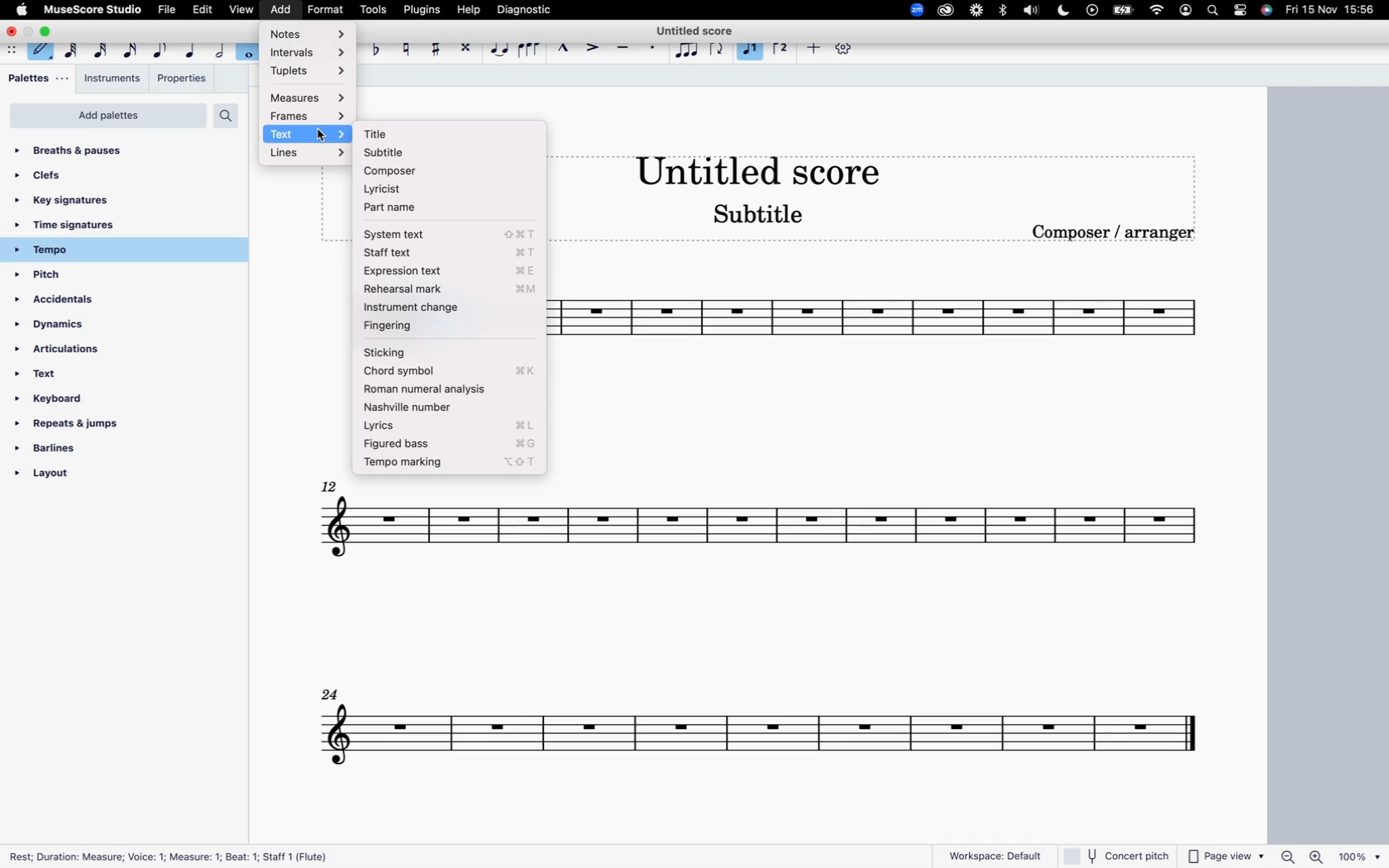 The height and width of the screenshot is (868, 1389). What do you see at coordinates (450, 289) in the screenshot?
I see `rehearsal mark` at bounding box center [450, 289].